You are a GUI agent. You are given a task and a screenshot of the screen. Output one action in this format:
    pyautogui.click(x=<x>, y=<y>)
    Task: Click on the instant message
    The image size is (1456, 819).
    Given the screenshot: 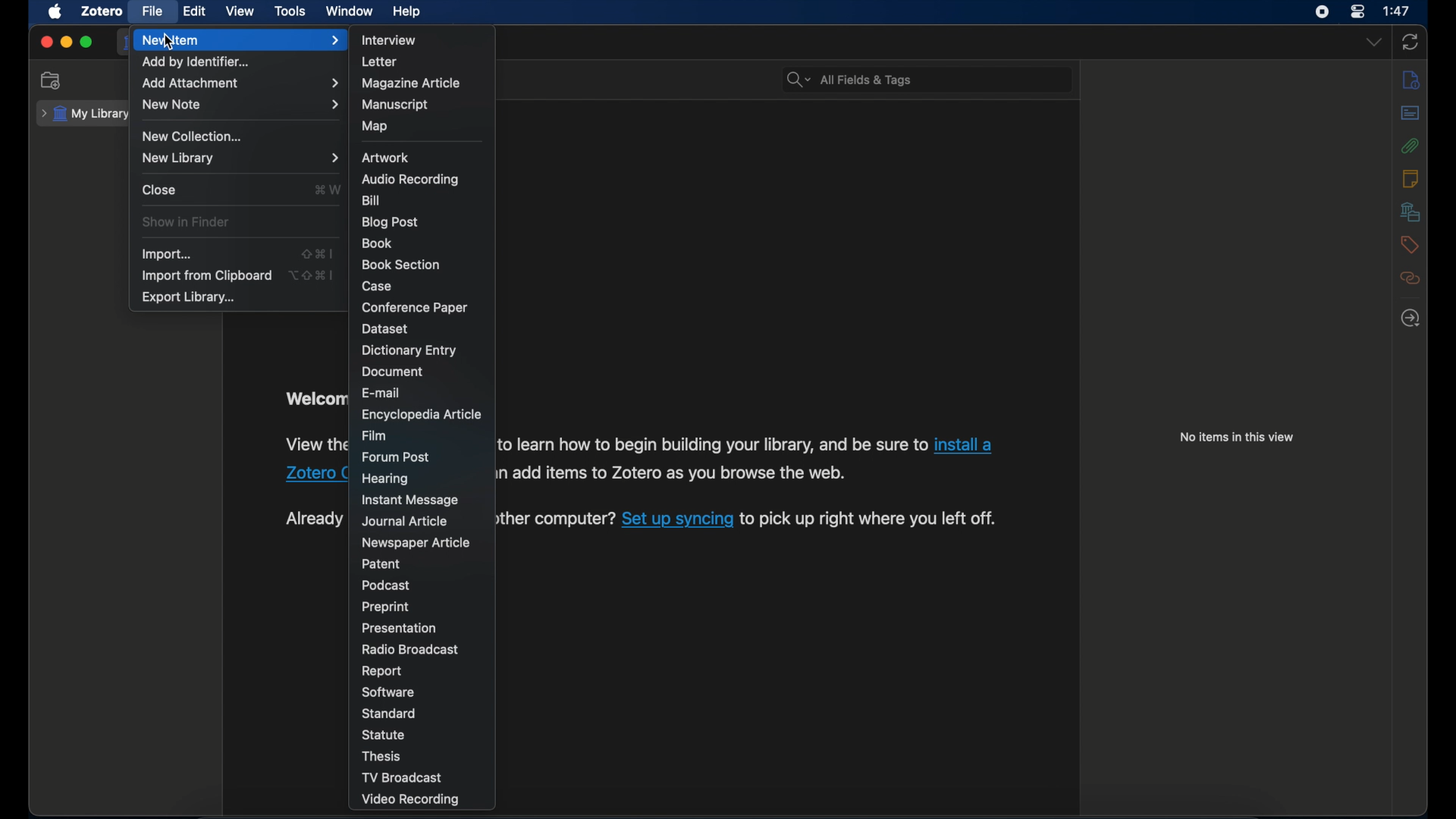 What is the action you would take?
    pyautogui.click(x=409, y=501)
    